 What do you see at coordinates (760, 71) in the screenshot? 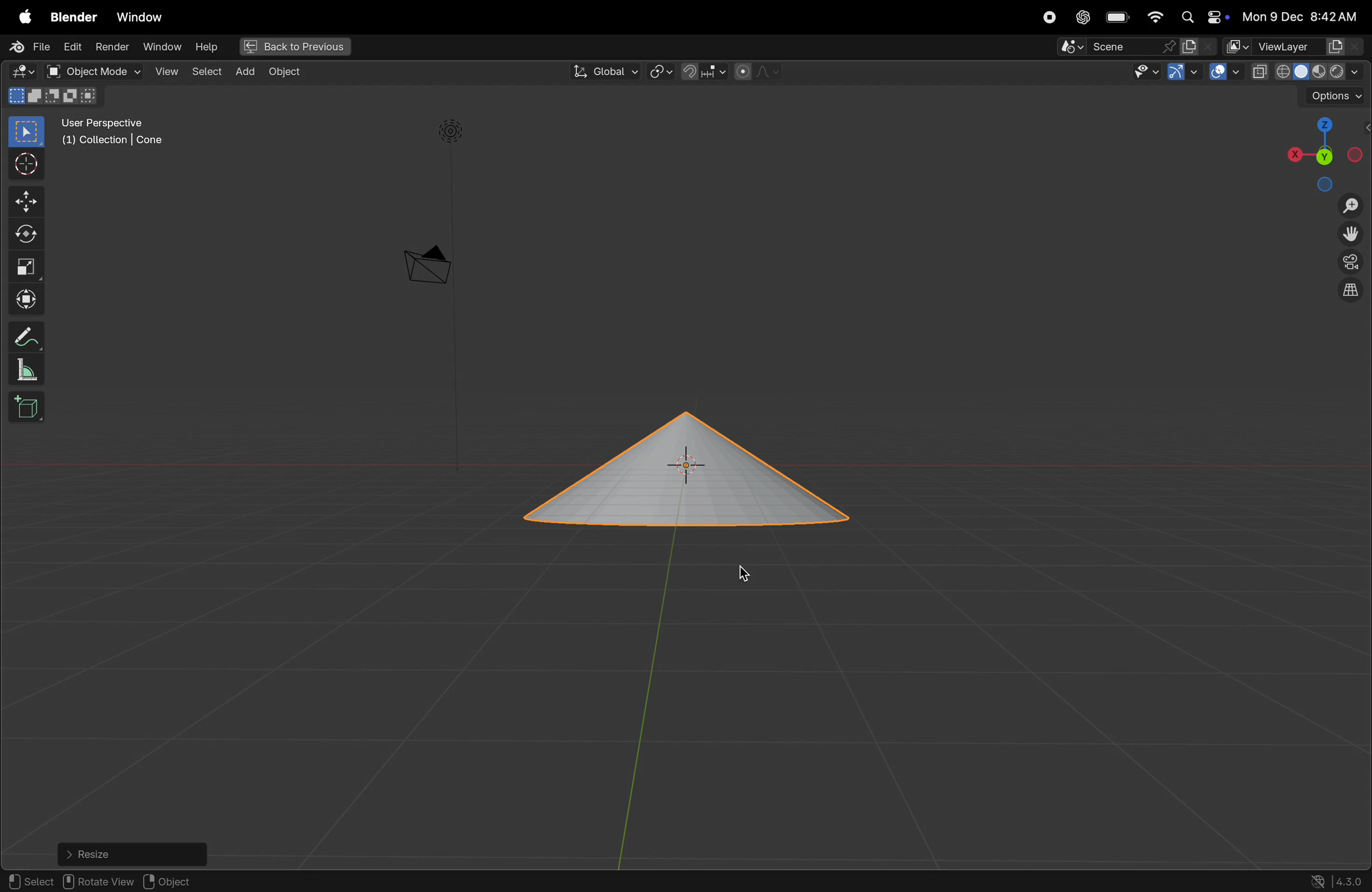
I see `proportional objects` at bounding box center [760, 71].